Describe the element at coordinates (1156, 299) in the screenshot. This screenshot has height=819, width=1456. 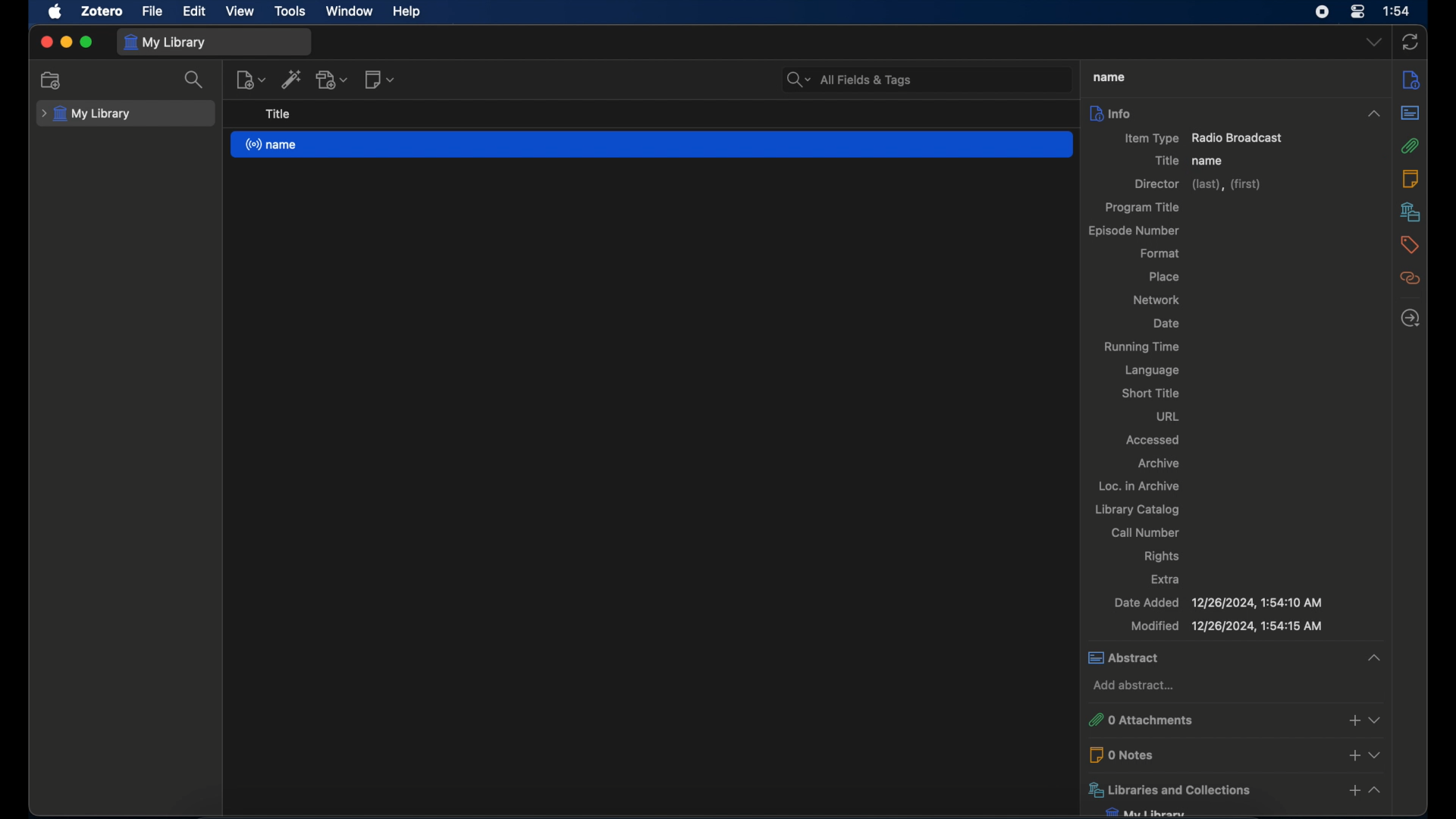
I see `network` at that location.